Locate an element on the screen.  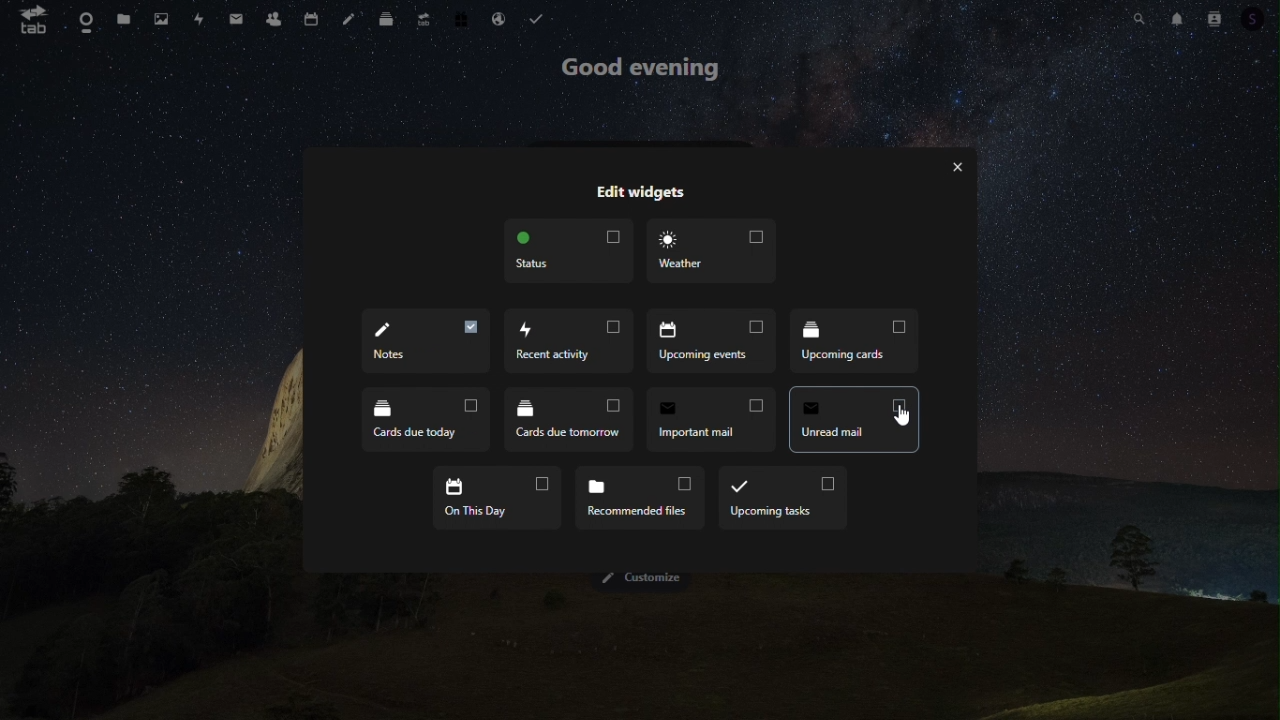
upcoming tasks is located at coordinates (775, 499).